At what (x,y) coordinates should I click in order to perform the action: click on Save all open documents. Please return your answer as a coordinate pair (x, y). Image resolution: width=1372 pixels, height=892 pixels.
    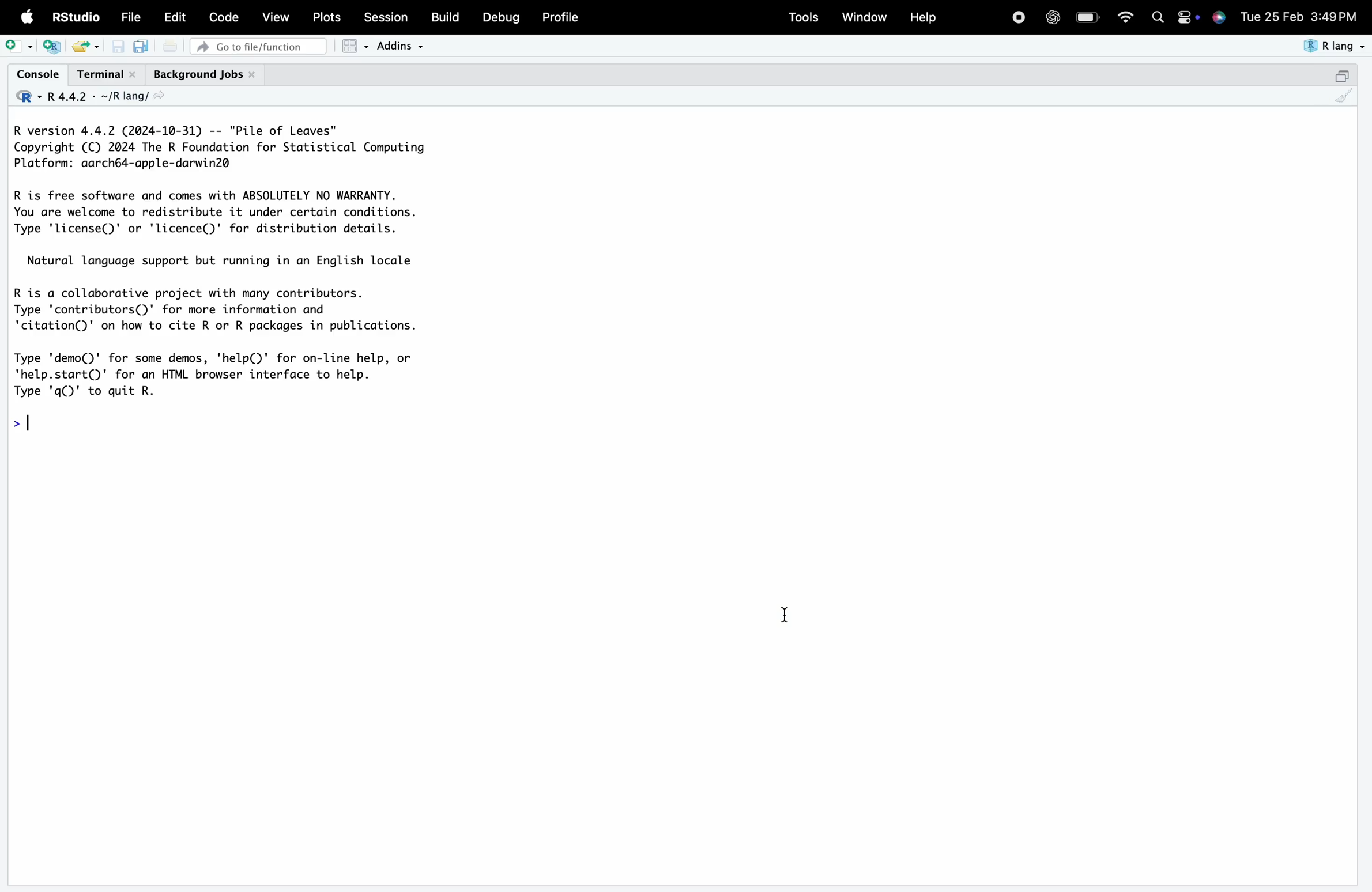
    Looking at the image, I should click on (142, 46).